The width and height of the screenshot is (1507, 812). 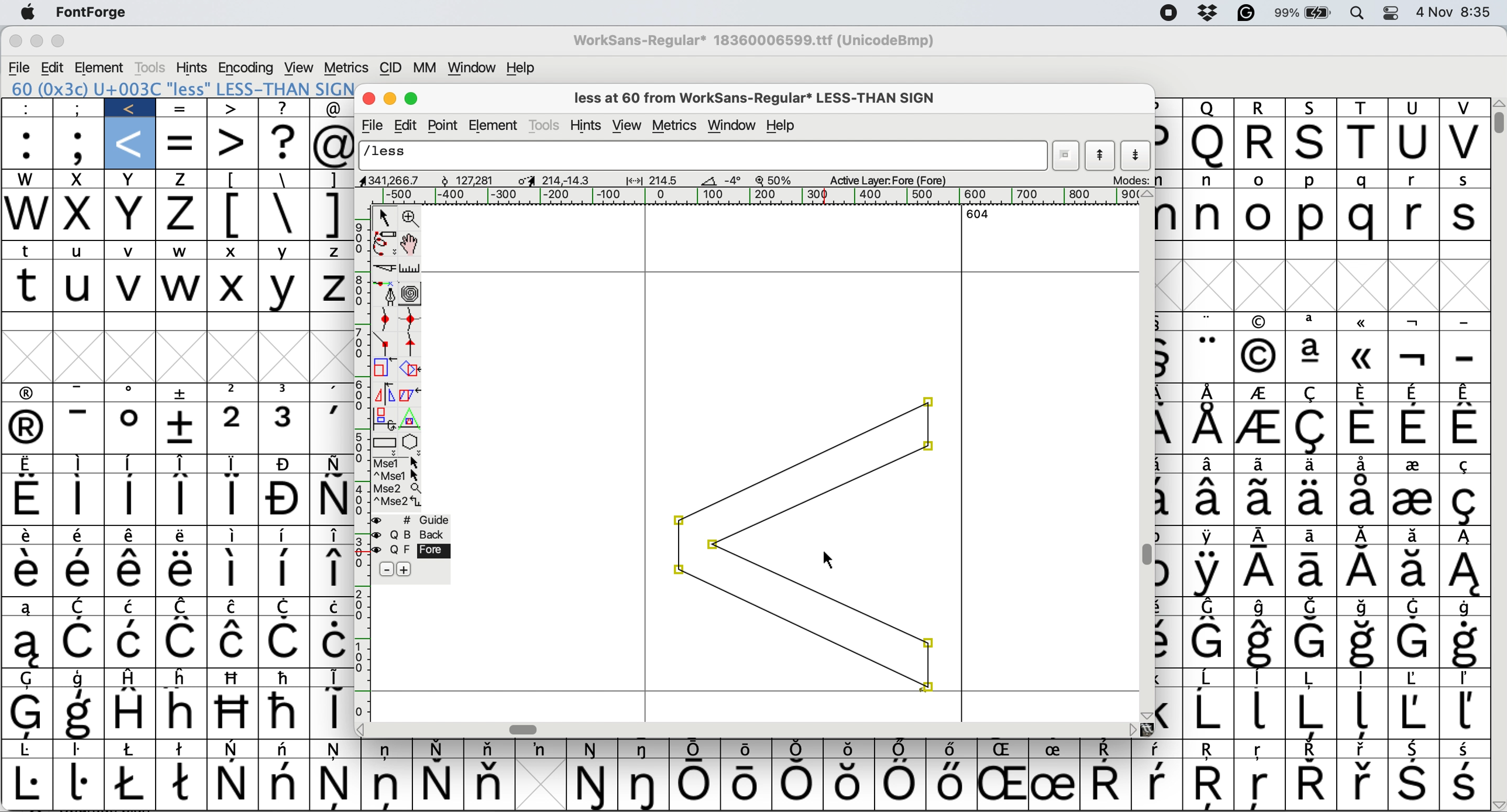 I want to click on Symbol, so click(x=800, y=748).